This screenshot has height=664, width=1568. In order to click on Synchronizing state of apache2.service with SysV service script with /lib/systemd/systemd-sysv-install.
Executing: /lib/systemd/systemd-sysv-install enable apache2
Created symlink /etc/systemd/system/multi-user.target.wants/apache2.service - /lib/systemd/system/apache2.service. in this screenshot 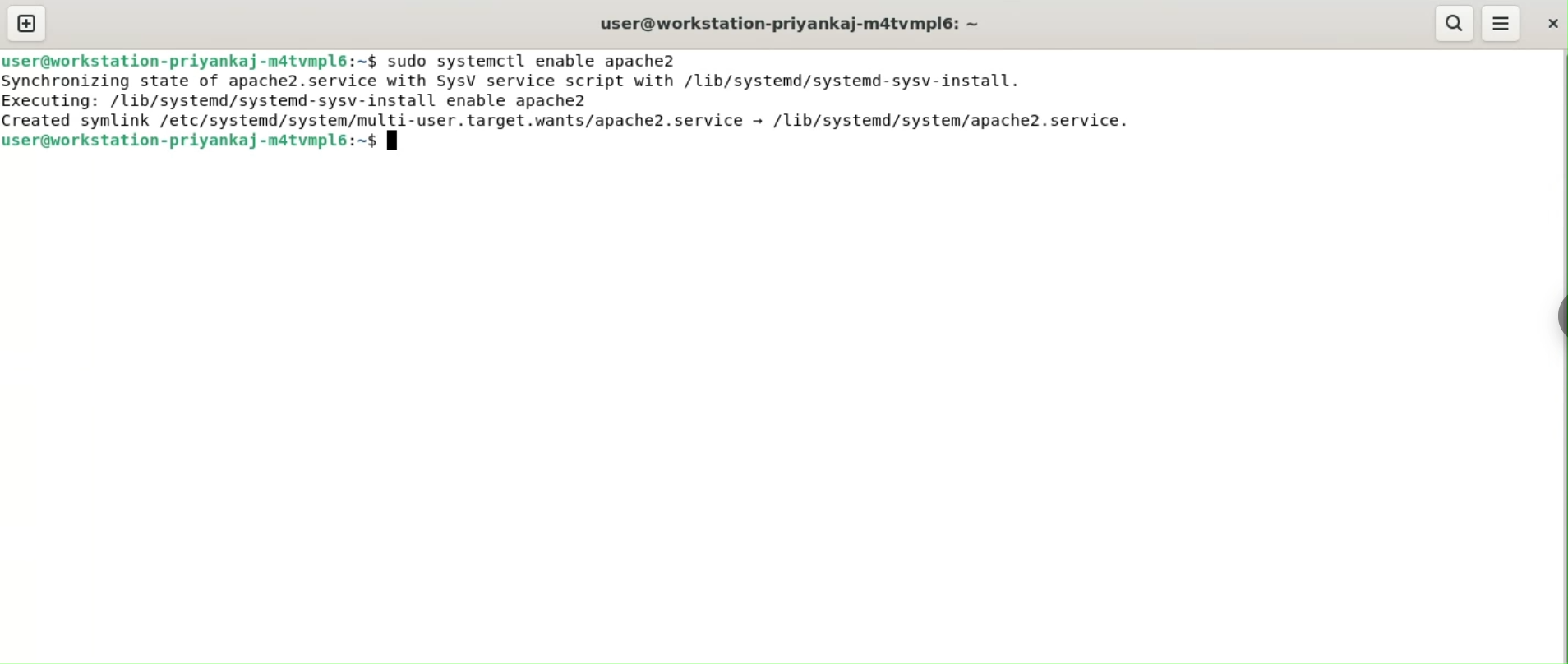, I will do `click(574, 100)`.